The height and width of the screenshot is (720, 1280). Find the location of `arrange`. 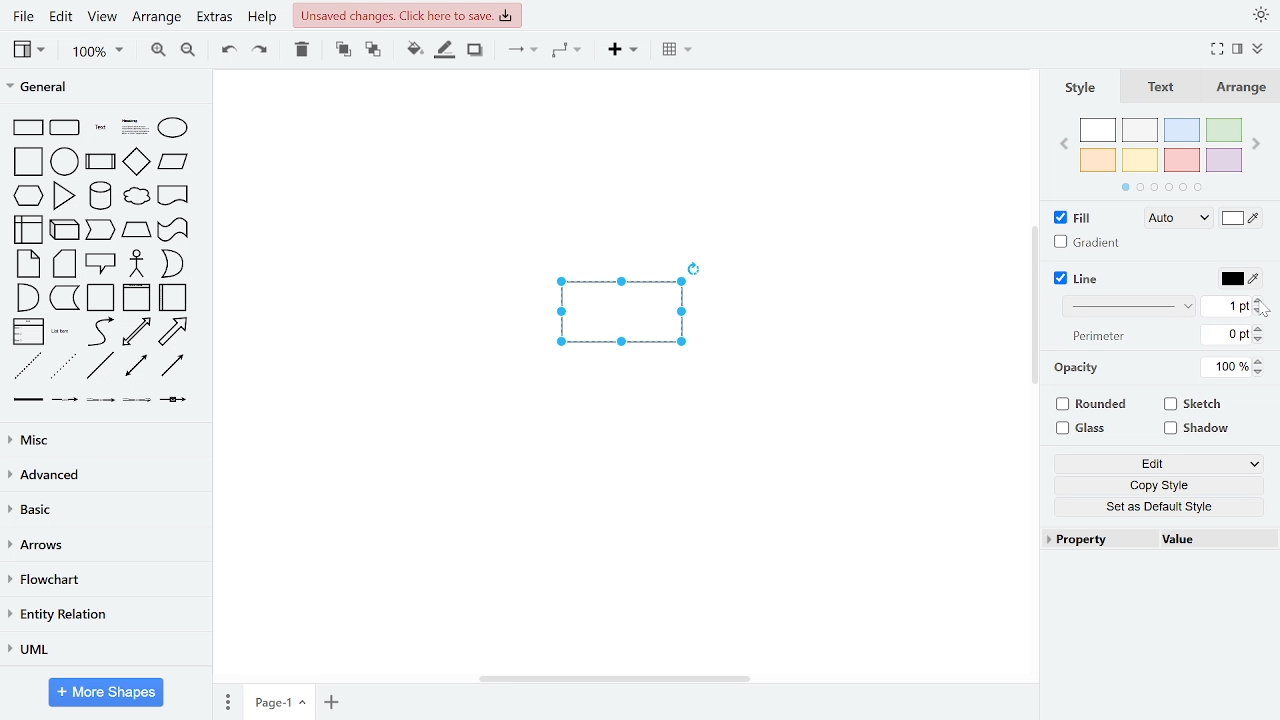

arrange is located at coordinates (1241, 87).